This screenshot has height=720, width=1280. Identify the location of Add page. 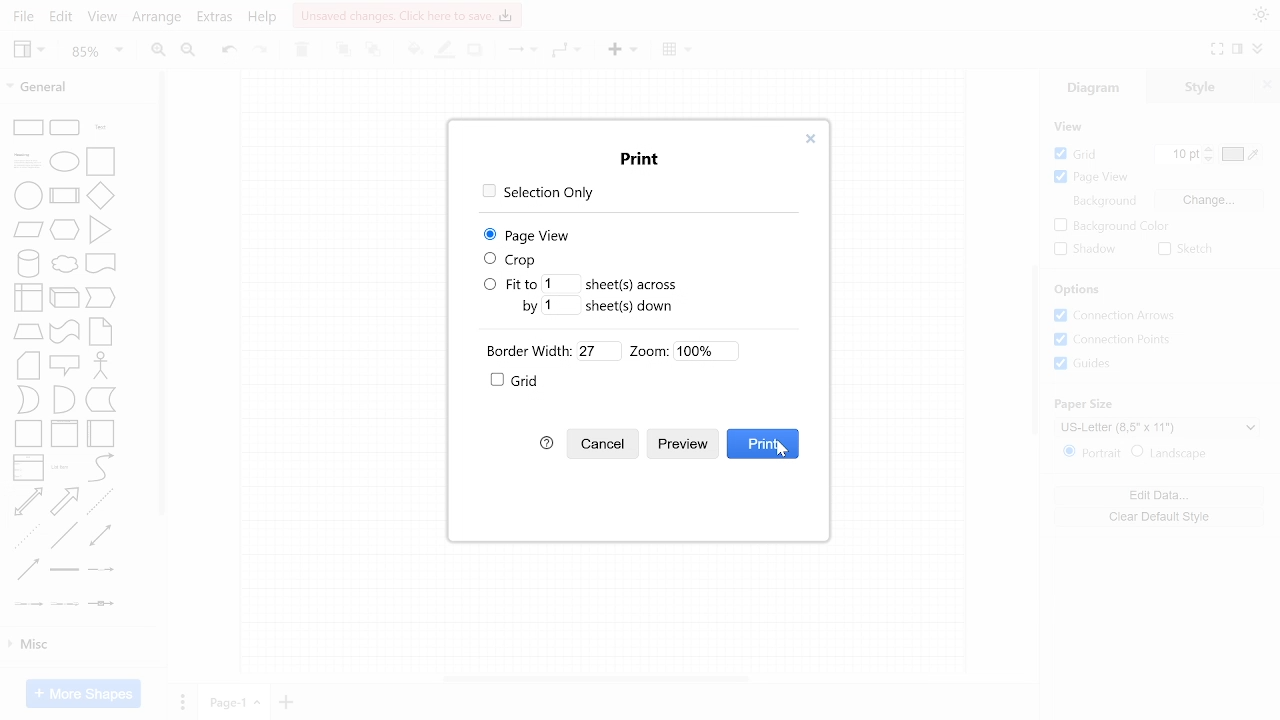
(286, 702).